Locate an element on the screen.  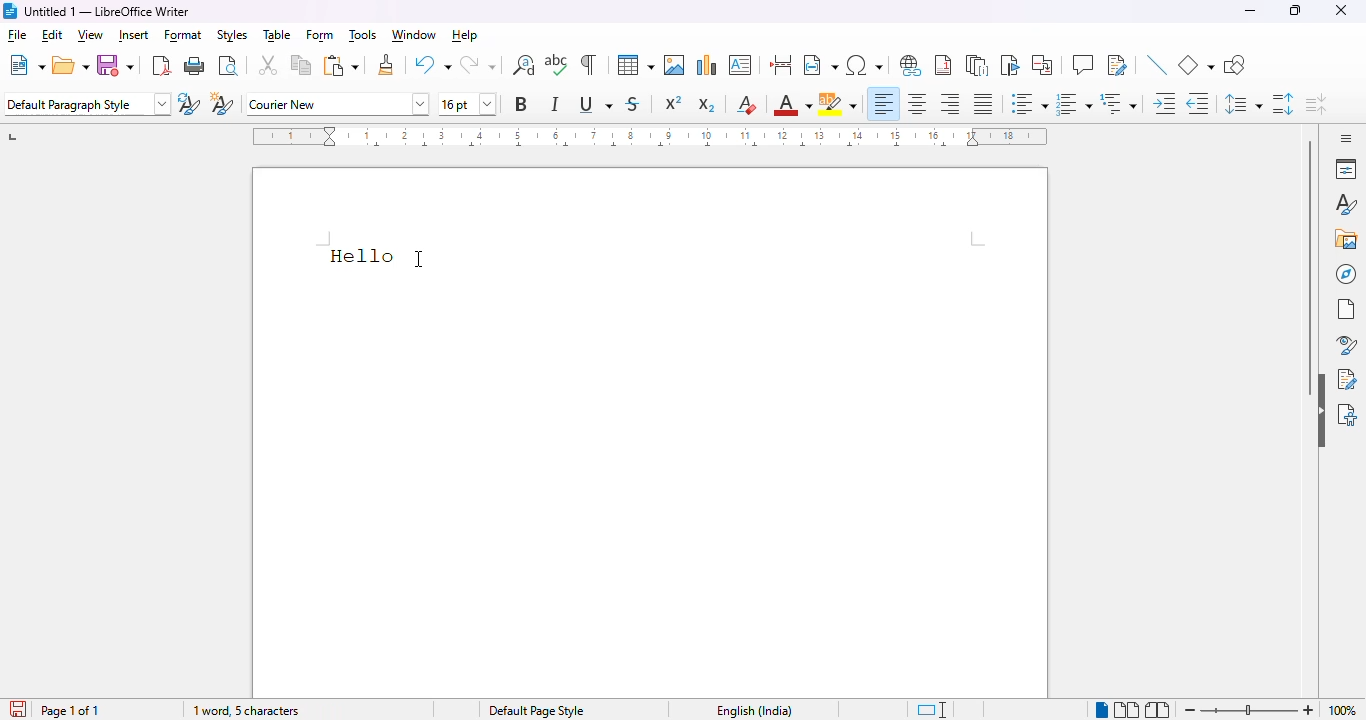
styles is located at coordinates (1344, 205).